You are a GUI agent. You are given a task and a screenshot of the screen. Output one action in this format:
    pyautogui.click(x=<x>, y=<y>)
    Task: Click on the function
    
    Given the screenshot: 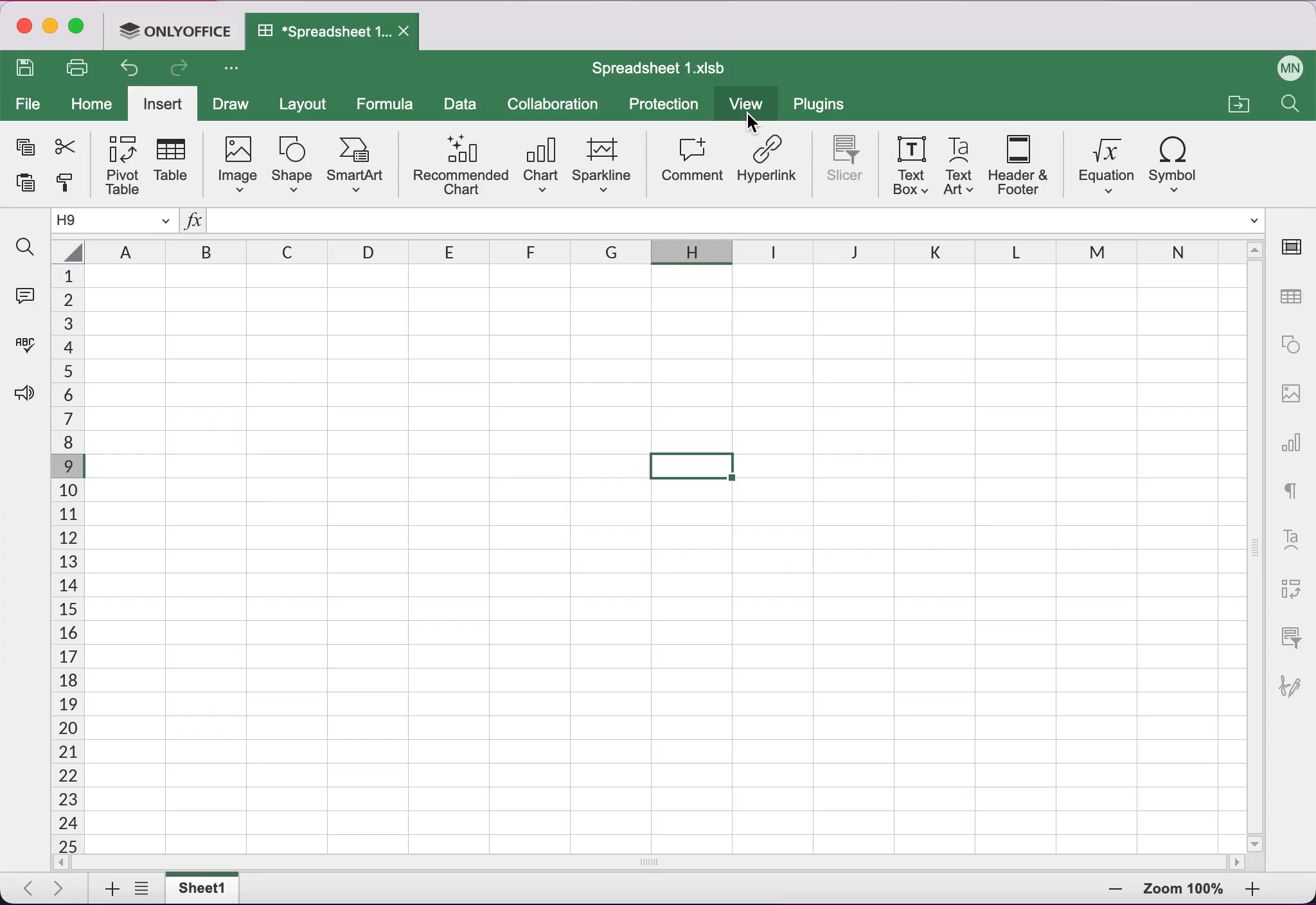 What is the action you would take?
    pyautogui.click(x=732, y=220)
    